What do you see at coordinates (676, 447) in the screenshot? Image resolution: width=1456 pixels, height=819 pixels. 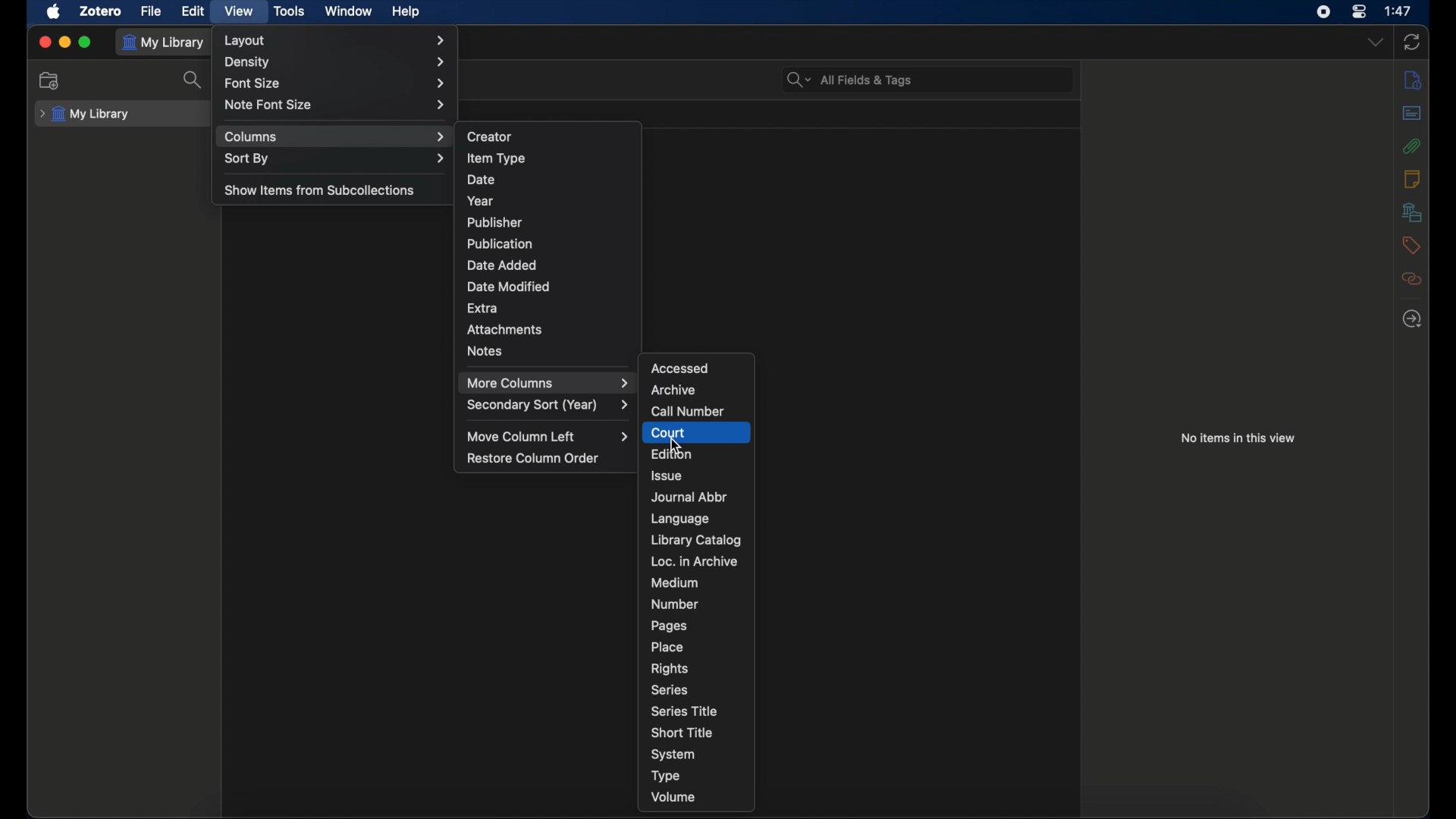 I see `Cursor` at bounding box center [676, 447].